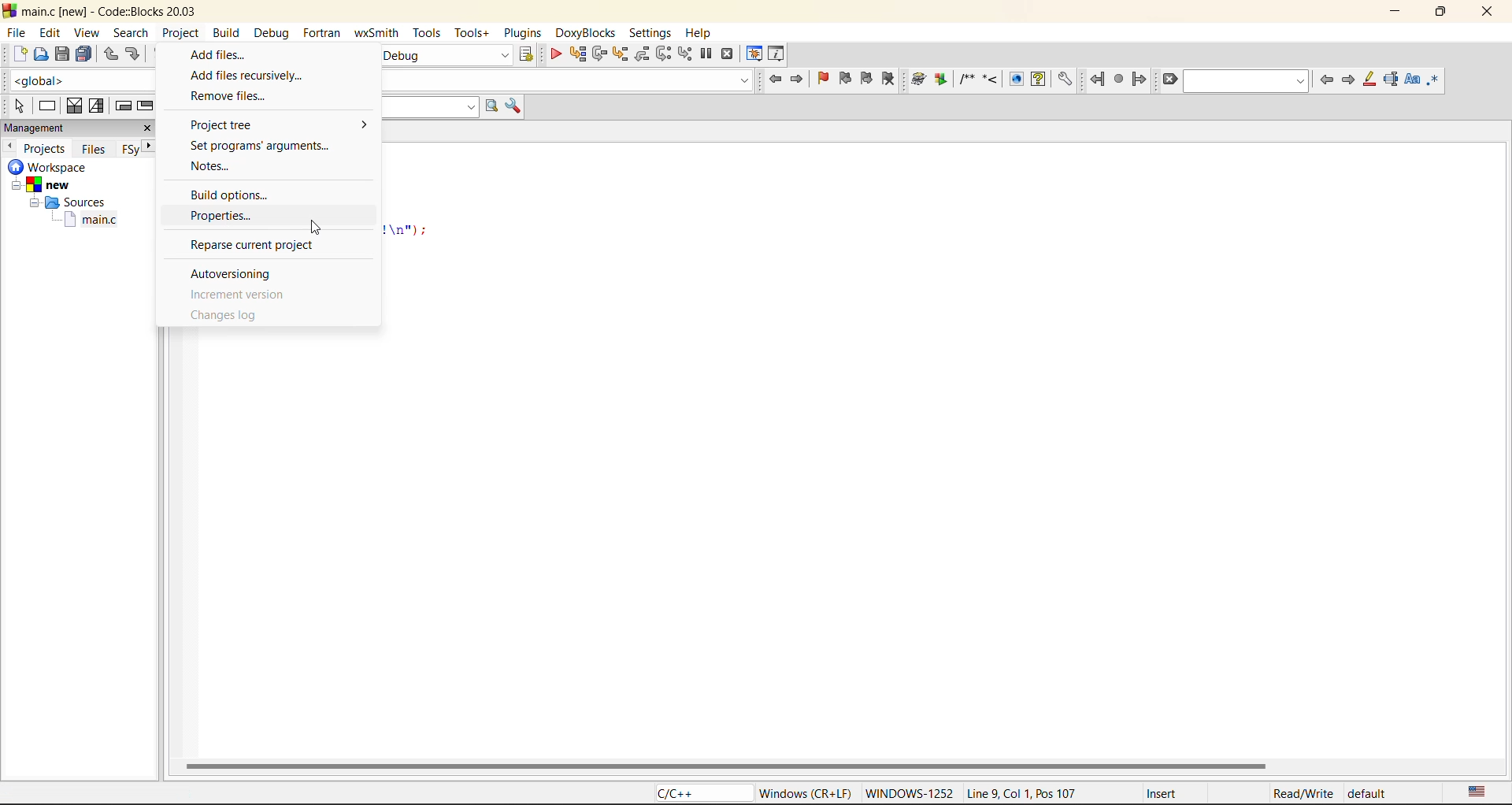 Image resolution: width=1512 pixels, height=805 pixels. What do you see at coordinates (1393, 13) in the screenshot?
I see `minimize` at bounding box center [1393, 13].